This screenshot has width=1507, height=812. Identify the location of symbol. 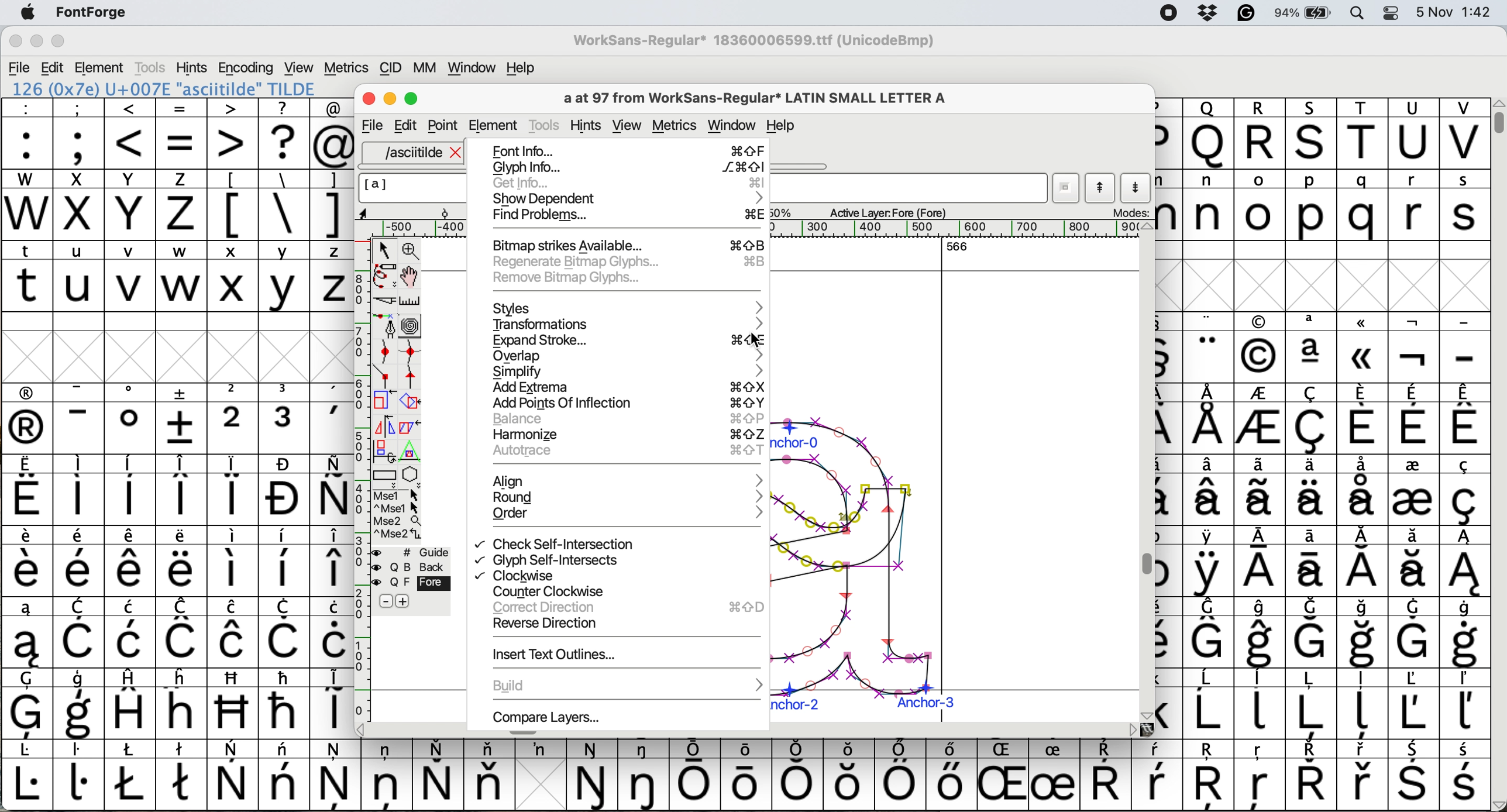
(1464, 633).